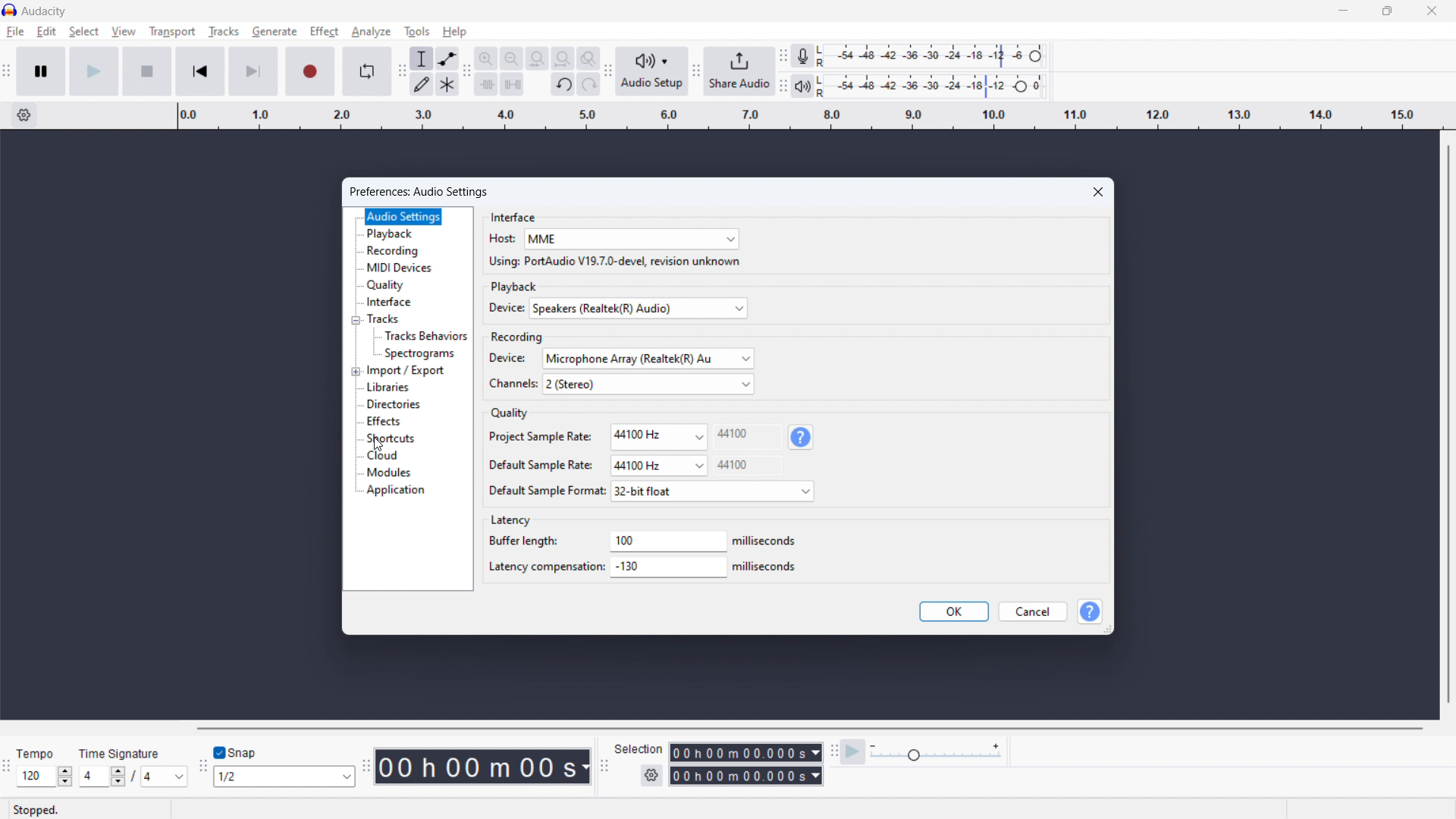 This screenshot has width=1456, height=819. What do you see at coordinates (356, 321) in the screenshot?
I see `collpase` at bounding box center [356, 321].